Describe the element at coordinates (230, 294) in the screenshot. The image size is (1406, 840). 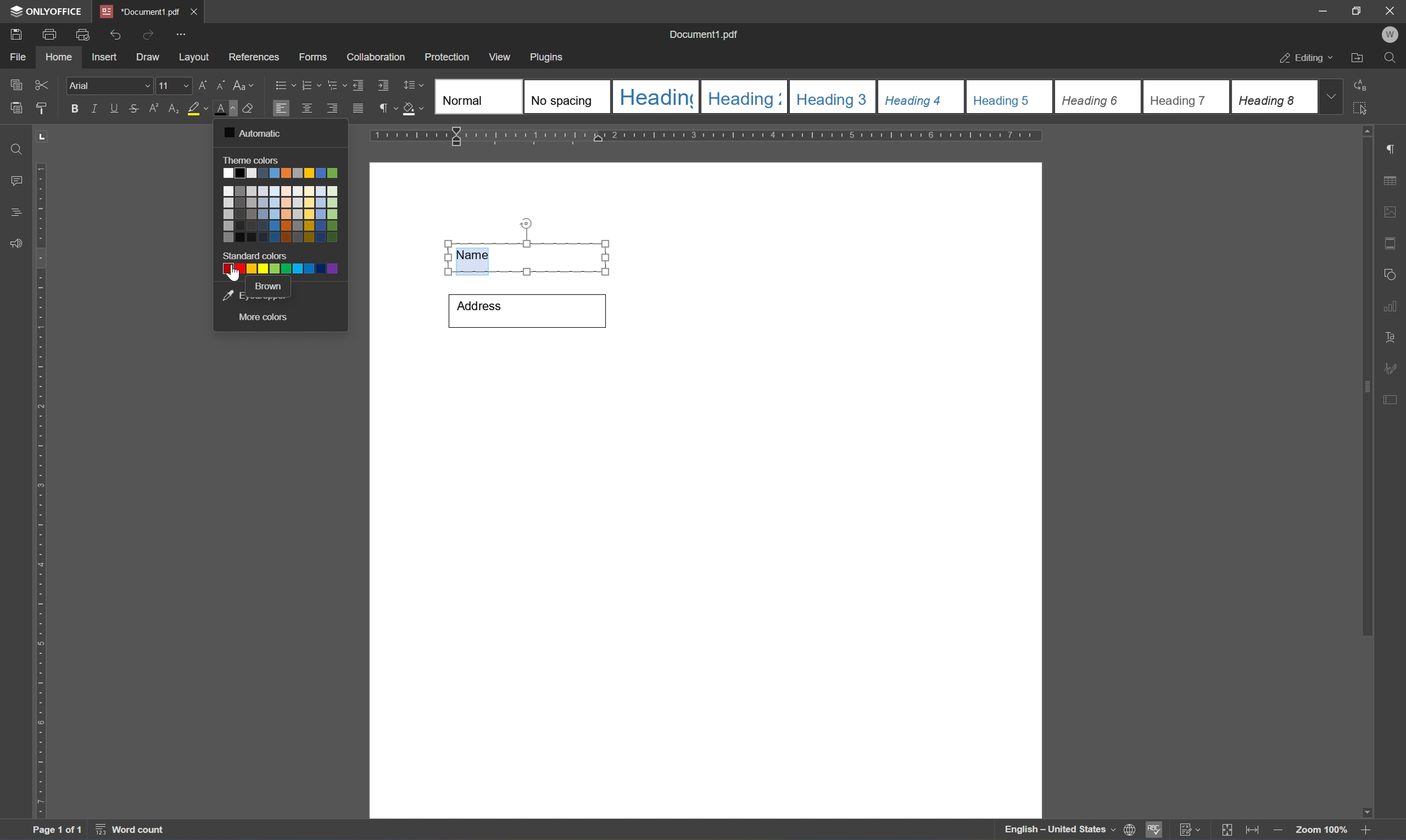
I see `eye dropper tool` at that location.